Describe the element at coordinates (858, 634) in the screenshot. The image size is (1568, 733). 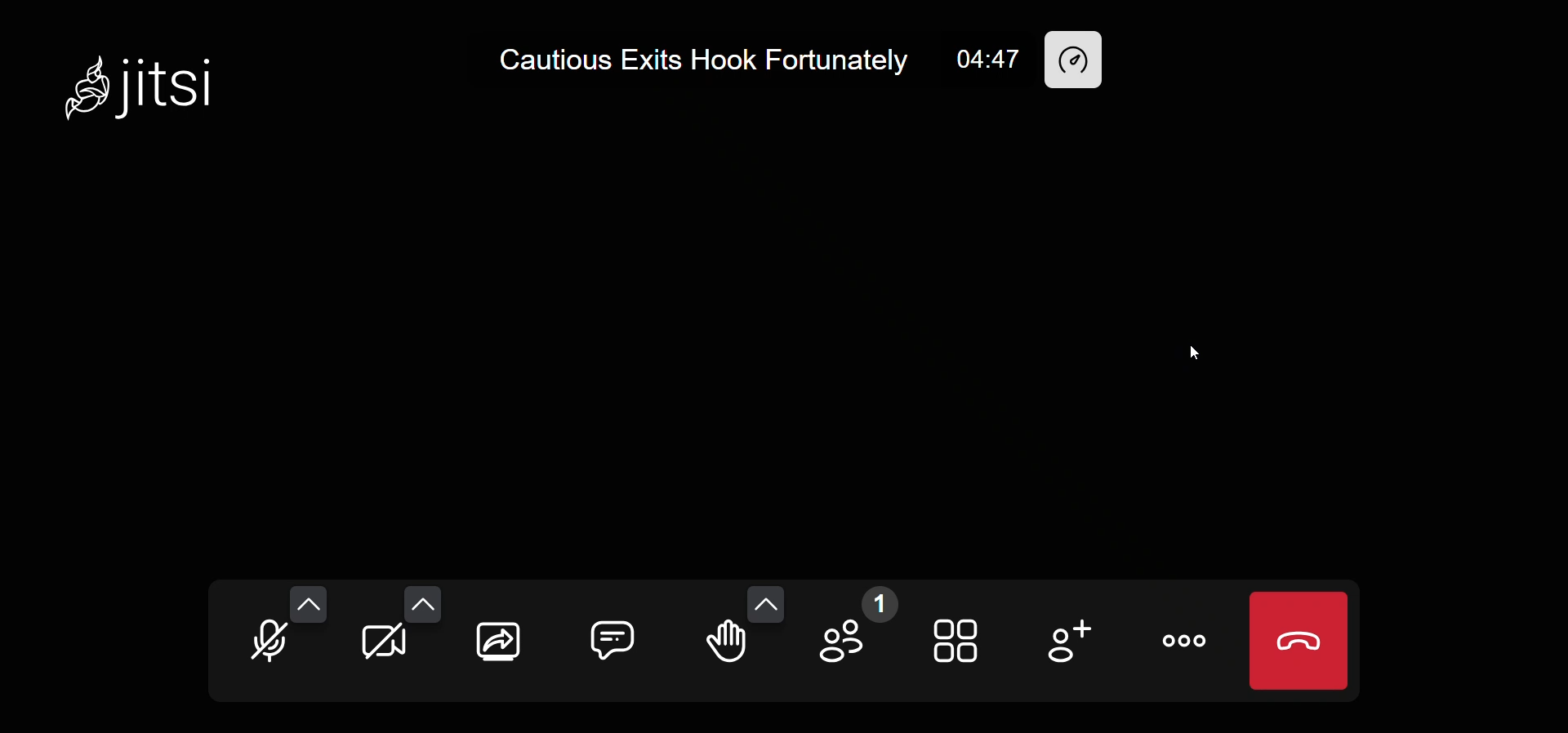
I see `participants` at that location.